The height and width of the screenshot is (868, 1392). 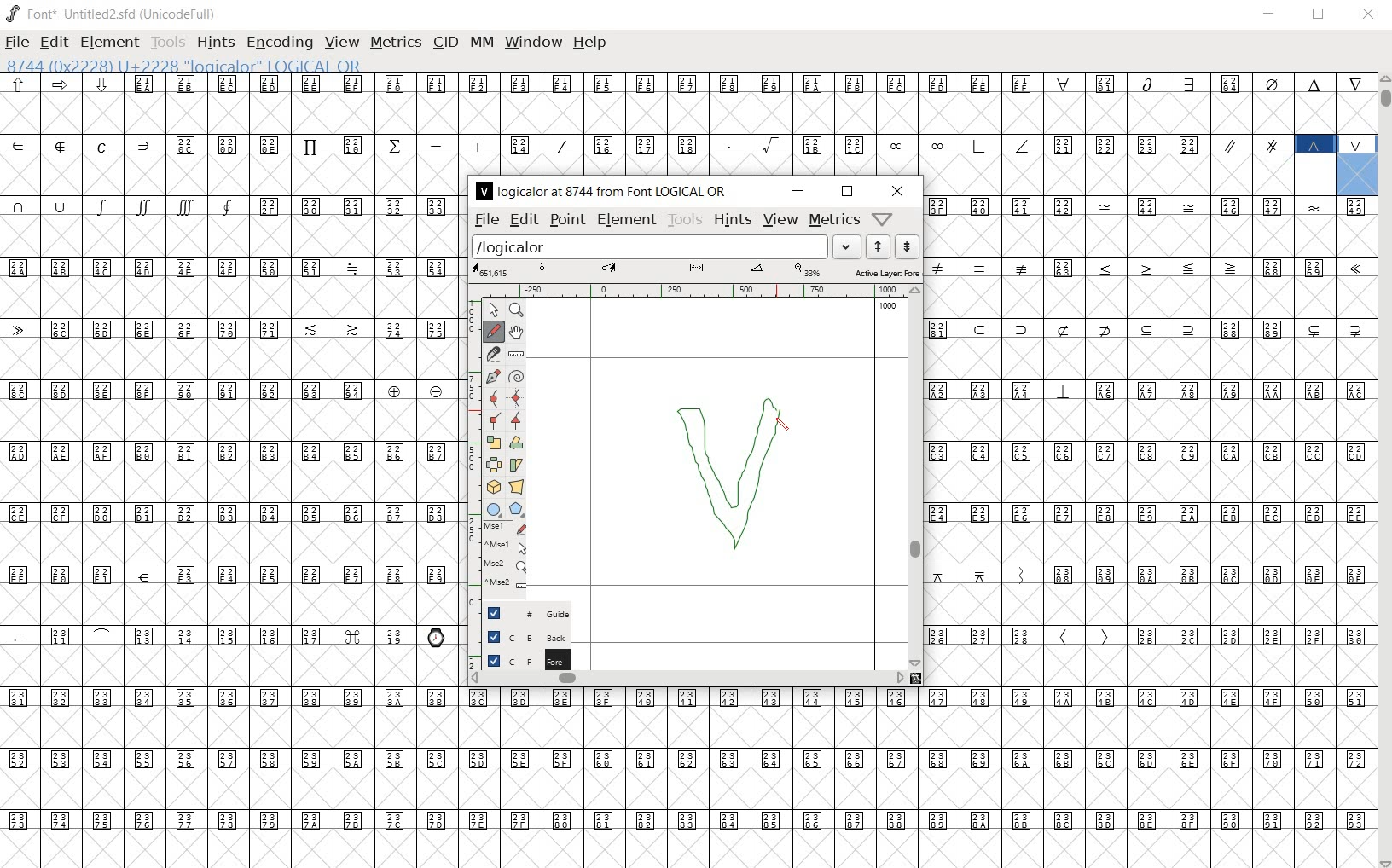 What do you see at coordinates (496, 510) in the screenshot?
I see `rectangle or ellipse` at bounding box center [496, 510].